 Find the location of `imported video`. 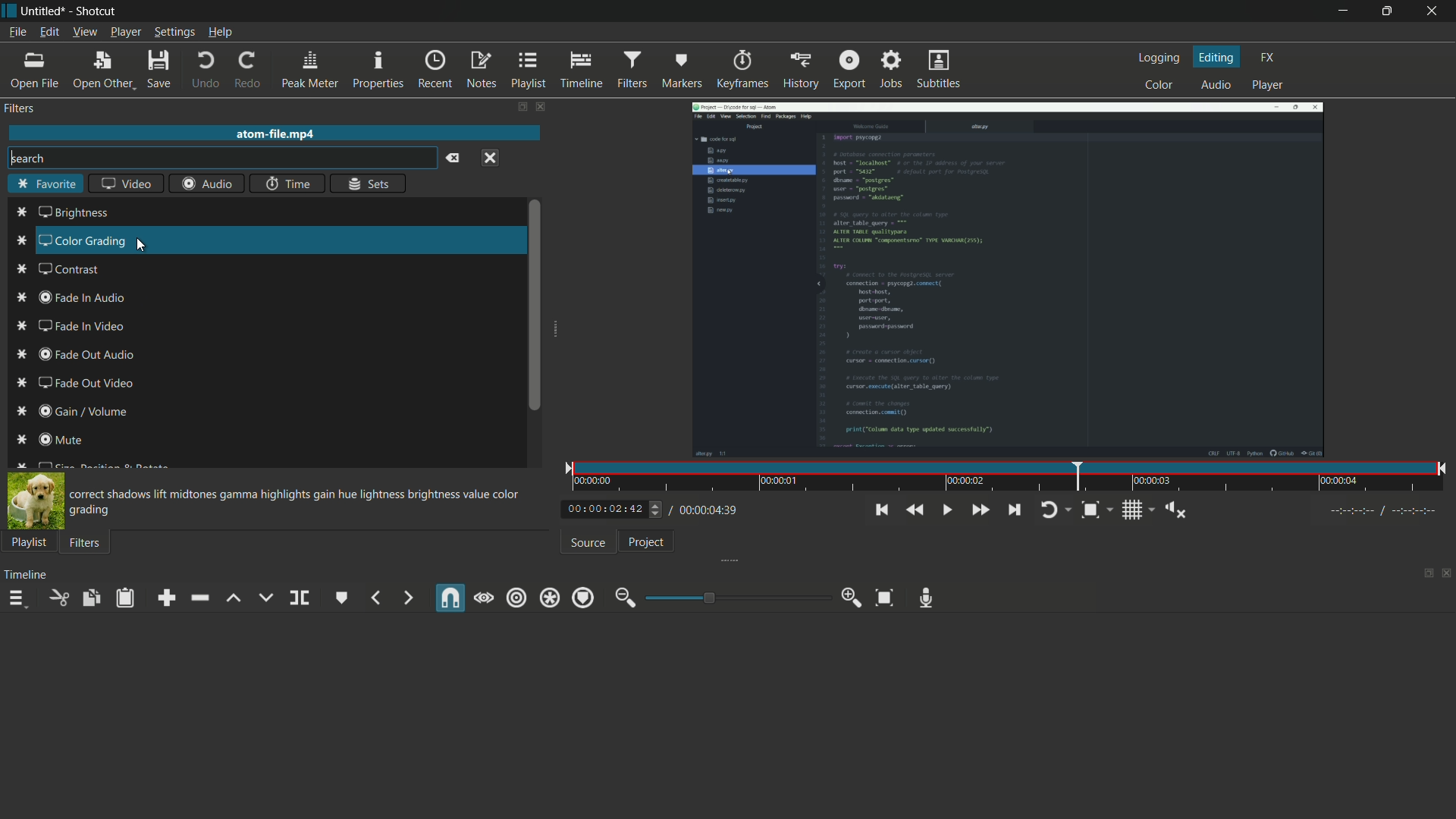

imported video is located at coordinates (1007, 279).